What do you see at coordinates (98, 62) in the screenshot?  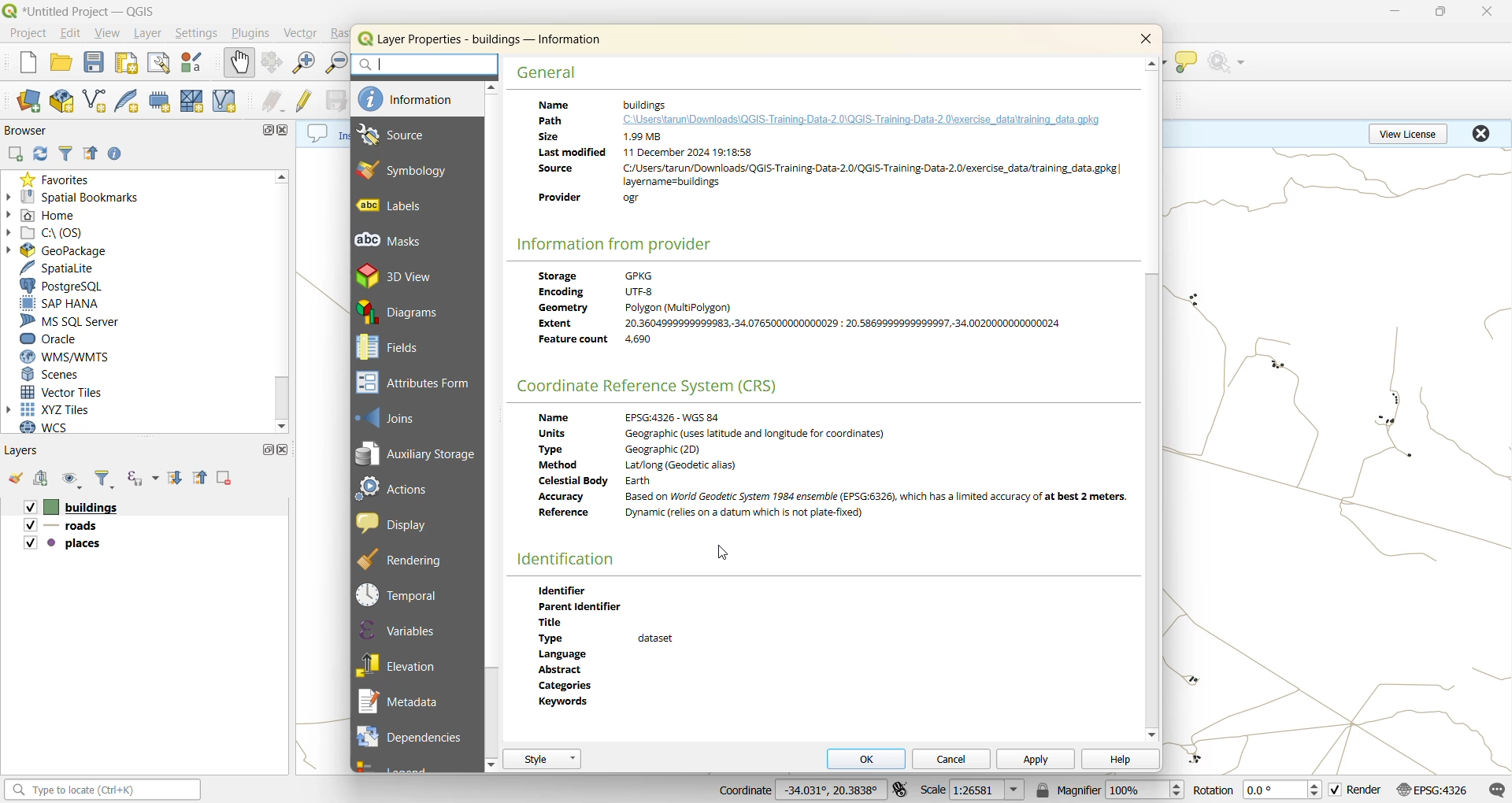 I see `save` at bounding box center [98, 62].